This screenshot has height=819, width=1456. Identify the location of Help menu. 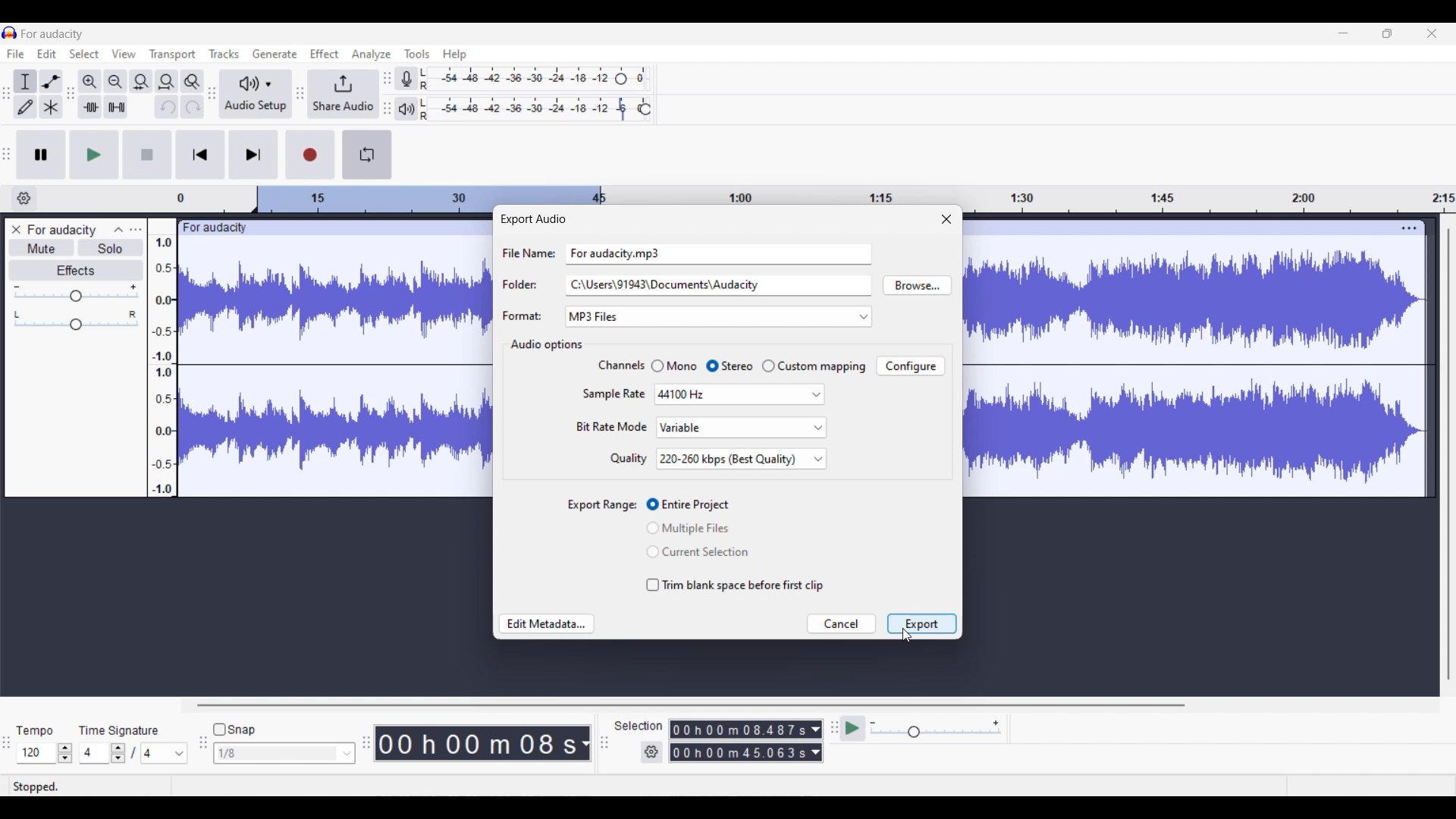
(455, 55).